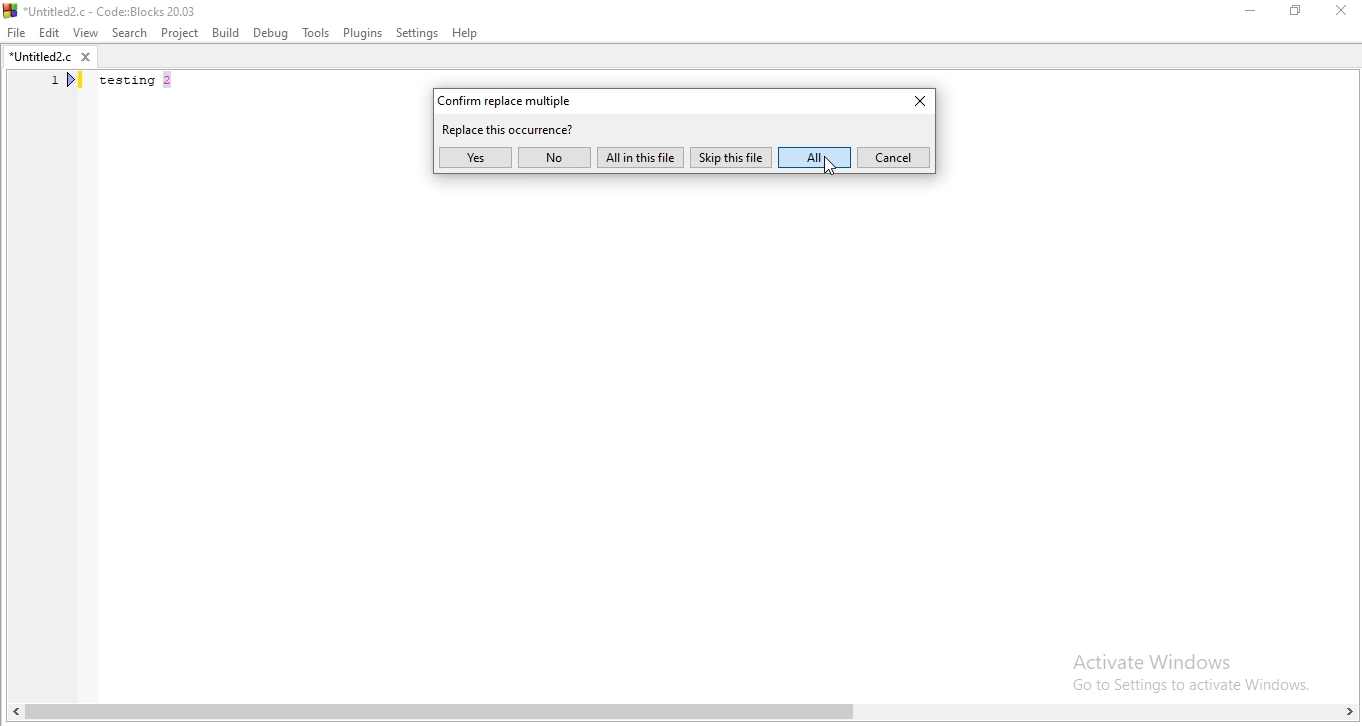 The image size is (1362, 726). I want to click on Plugins , so click(361, 34).